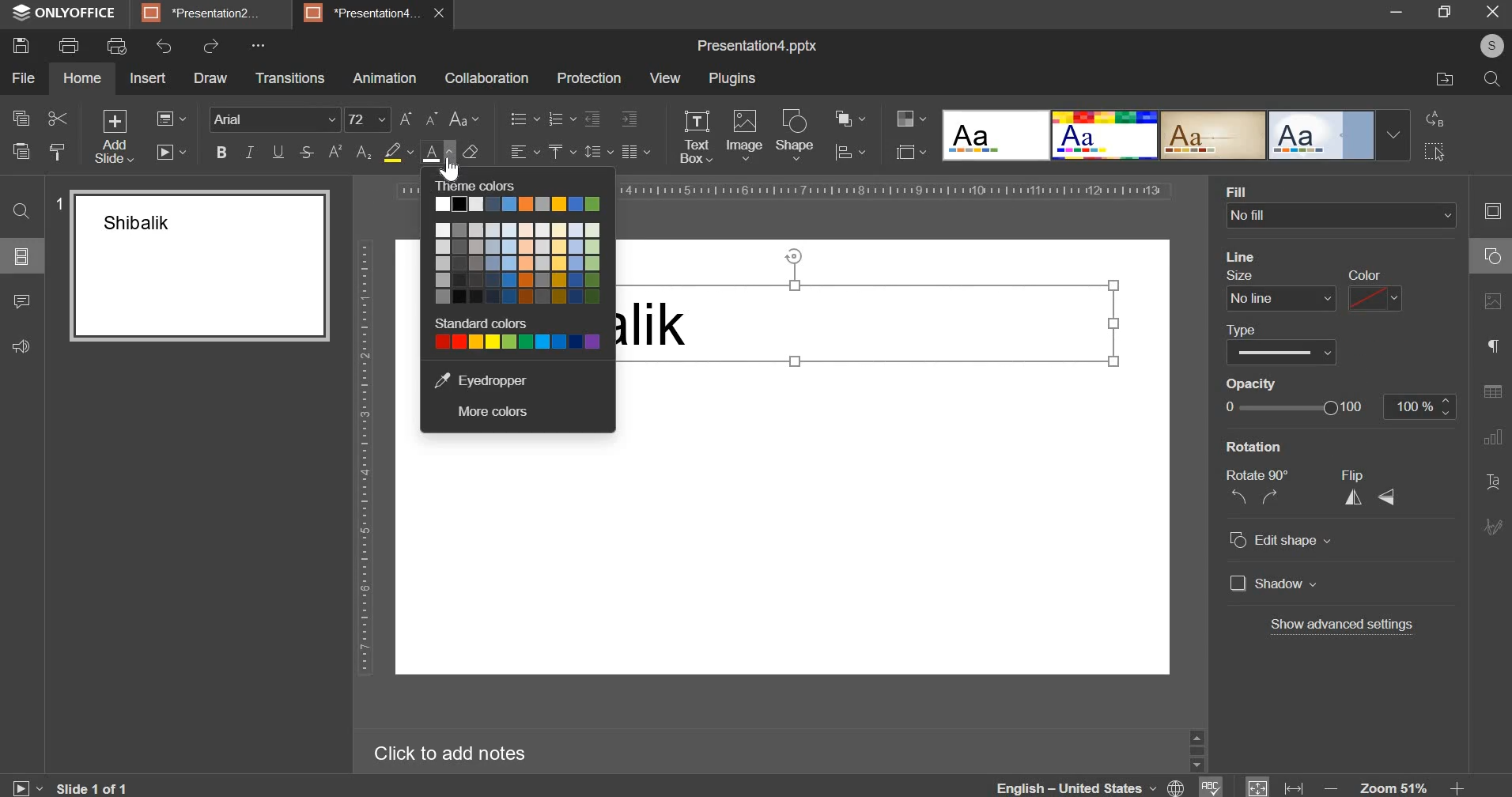 Image resolution: width=1512 pixels, height=797 pixels. I want to click on bullets, so click(524, 119).